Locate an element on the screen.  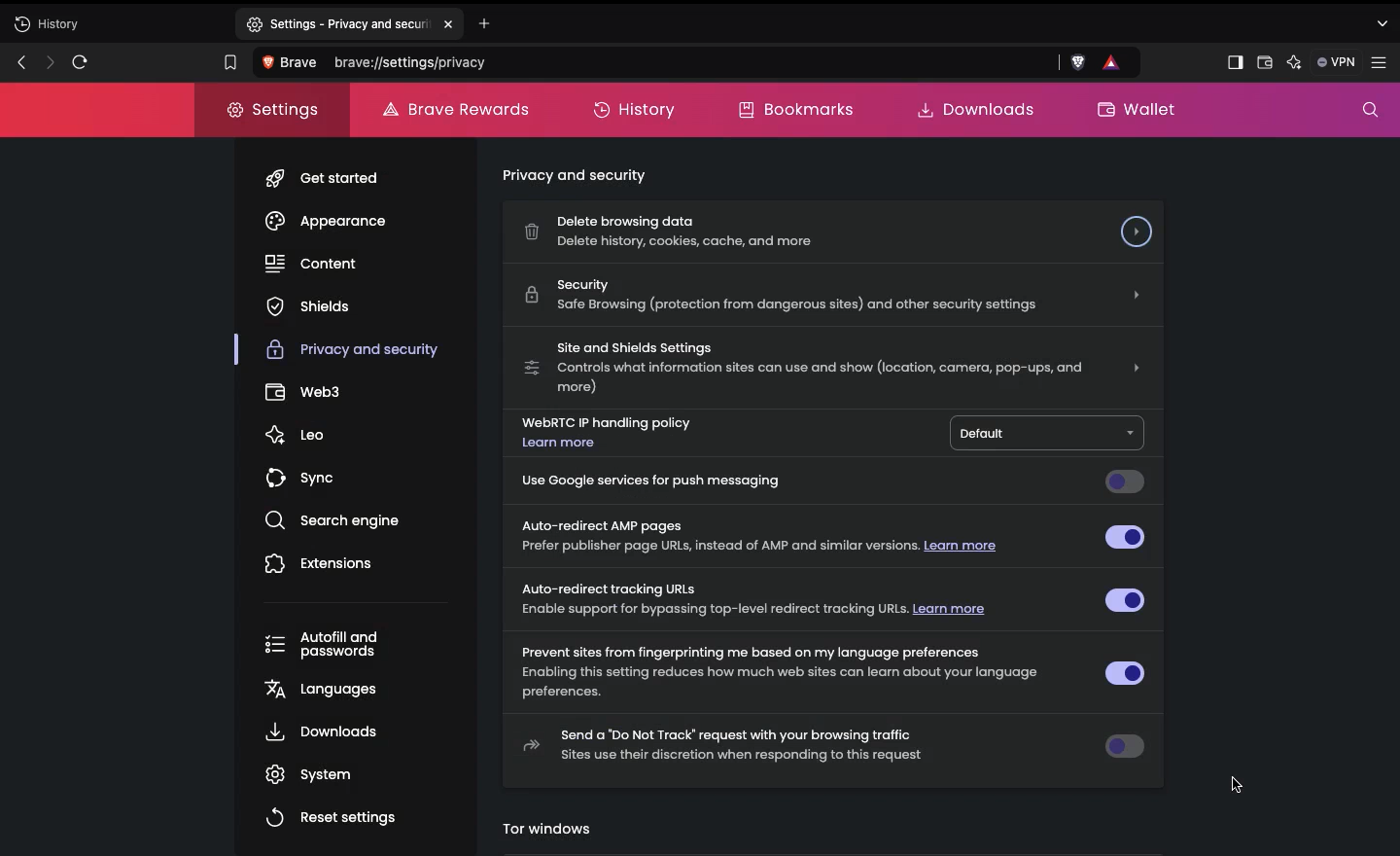
Search engine is located at coordinates (337, 522).